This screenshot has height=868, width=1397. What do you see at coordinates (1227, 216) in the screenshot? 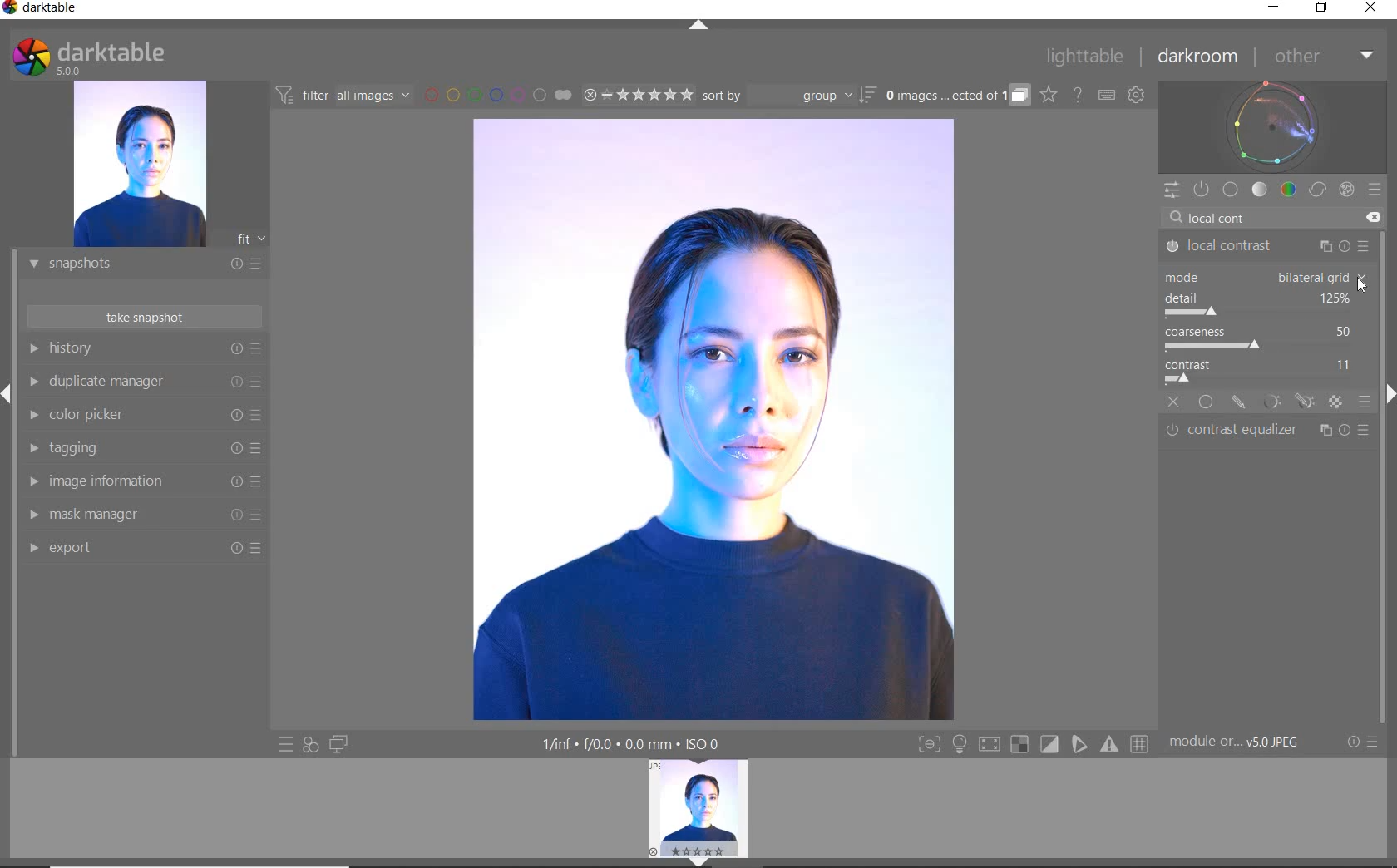
I see `INPUT VALUE` at bounding box center [1227, 216].